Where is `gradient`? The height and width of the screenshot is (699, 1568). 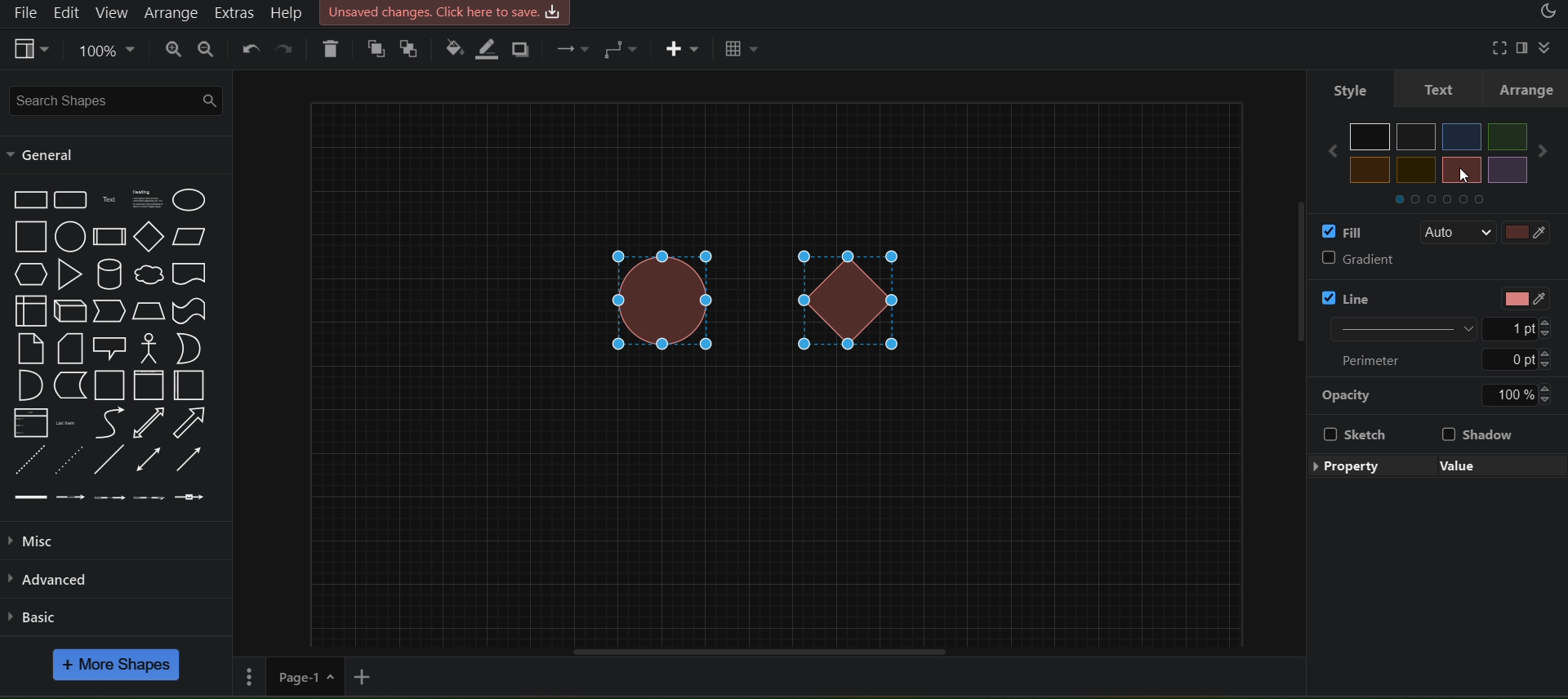 gradient is located at coordinates (1432, 263).